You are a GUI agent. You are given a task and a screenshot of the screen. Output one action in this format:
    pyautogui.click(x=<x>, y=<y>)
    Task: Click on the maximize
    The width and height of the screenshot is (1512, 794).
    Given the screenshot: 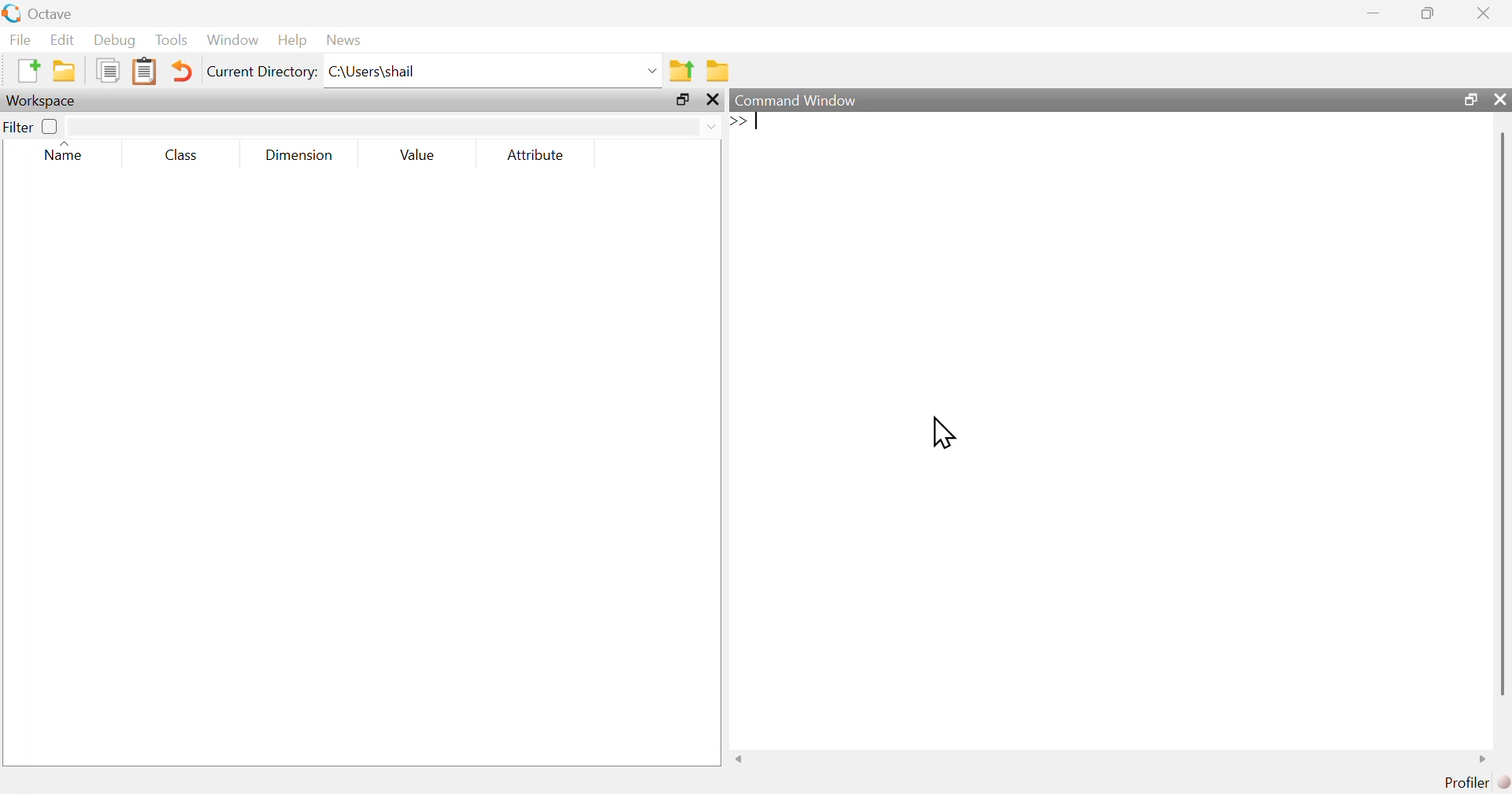 What is the action you would take?
    pyautogui.click(x=1429, y=13)
    